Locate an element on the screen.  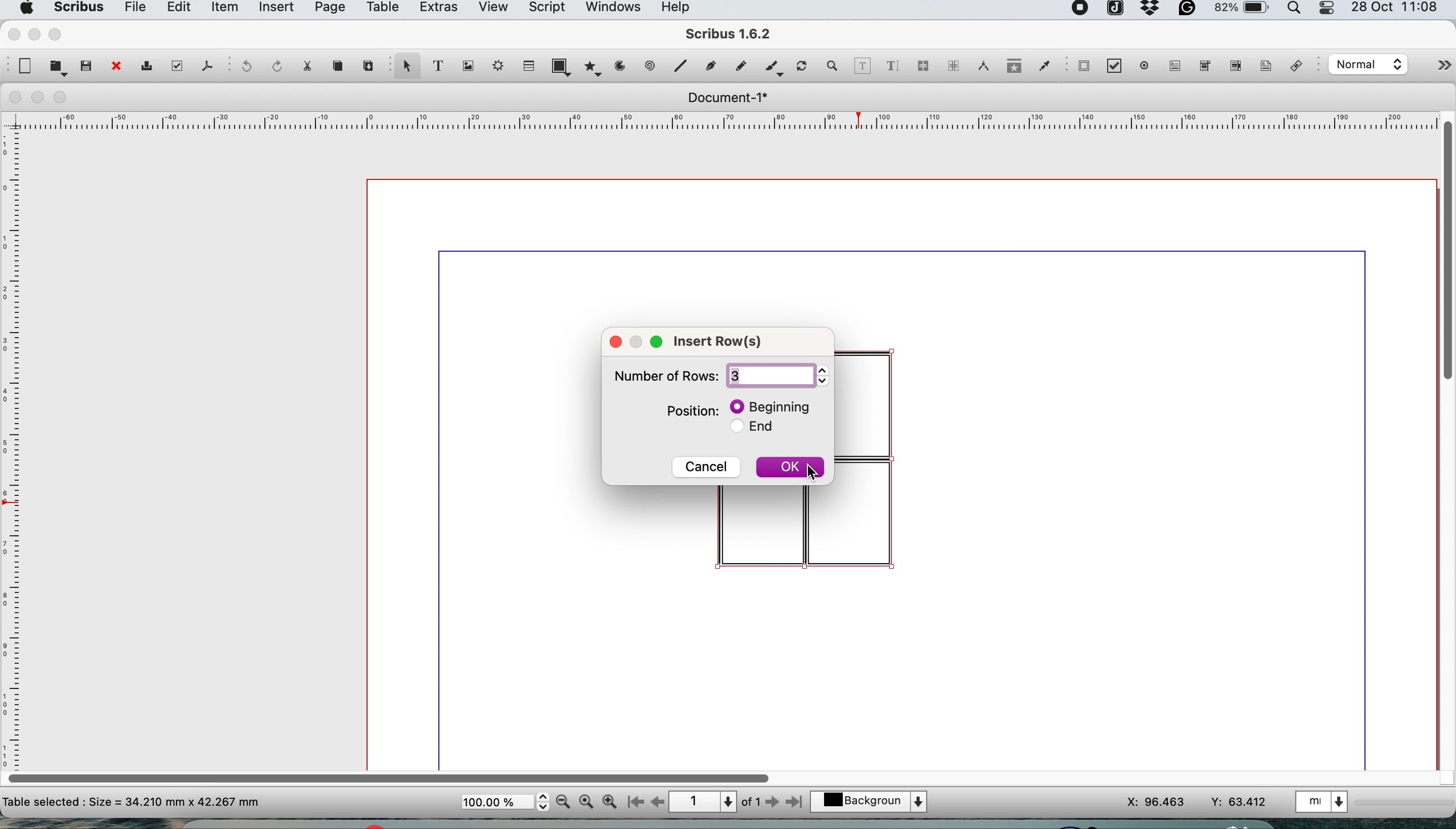
redo is located at coordinates (274, 65).